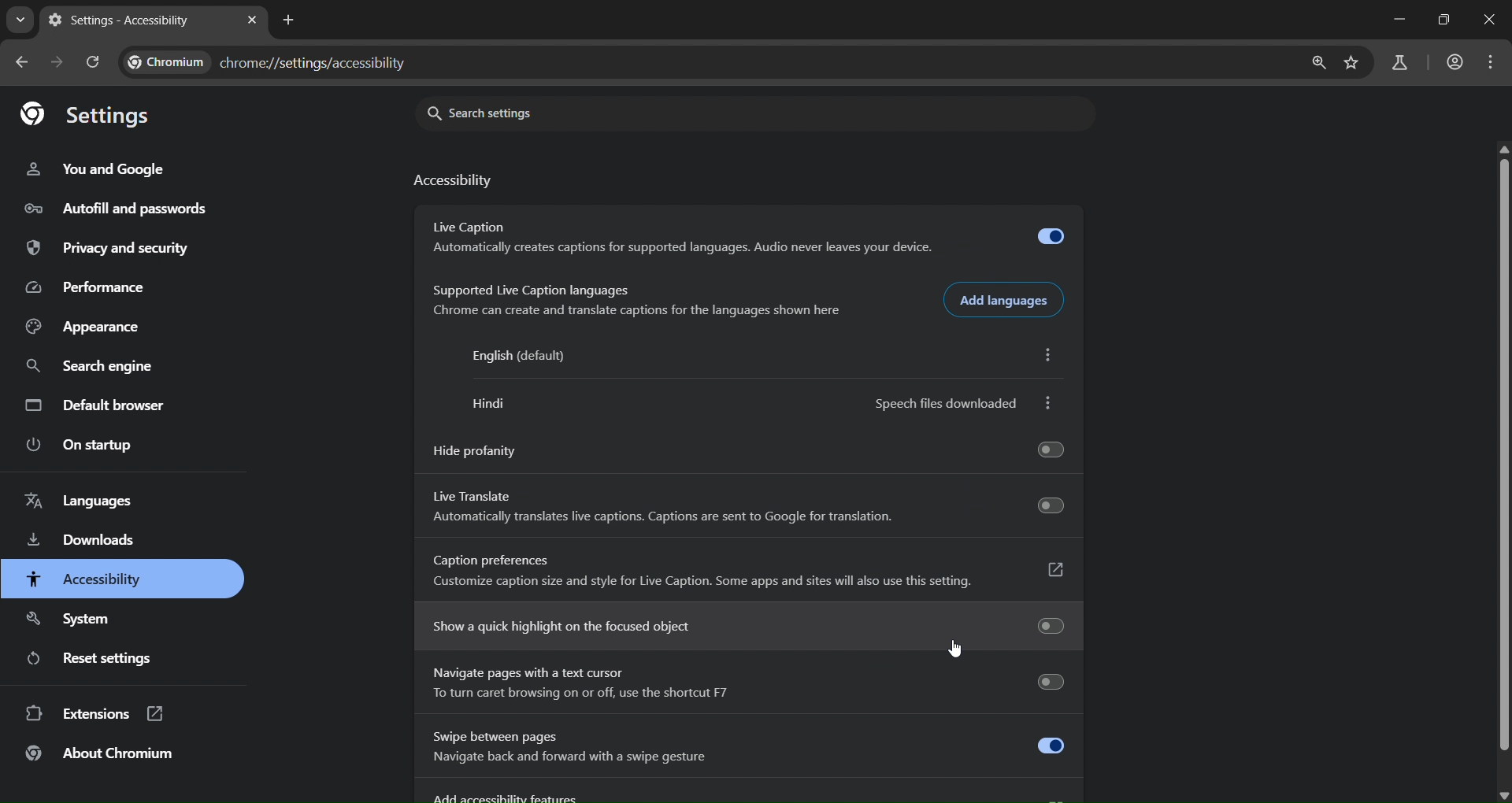 Image resolution: width=1512 pixels, height=803 pixels. Describe the element at coordinates (77, 501) in the screenshot. I see `languages` at that location.